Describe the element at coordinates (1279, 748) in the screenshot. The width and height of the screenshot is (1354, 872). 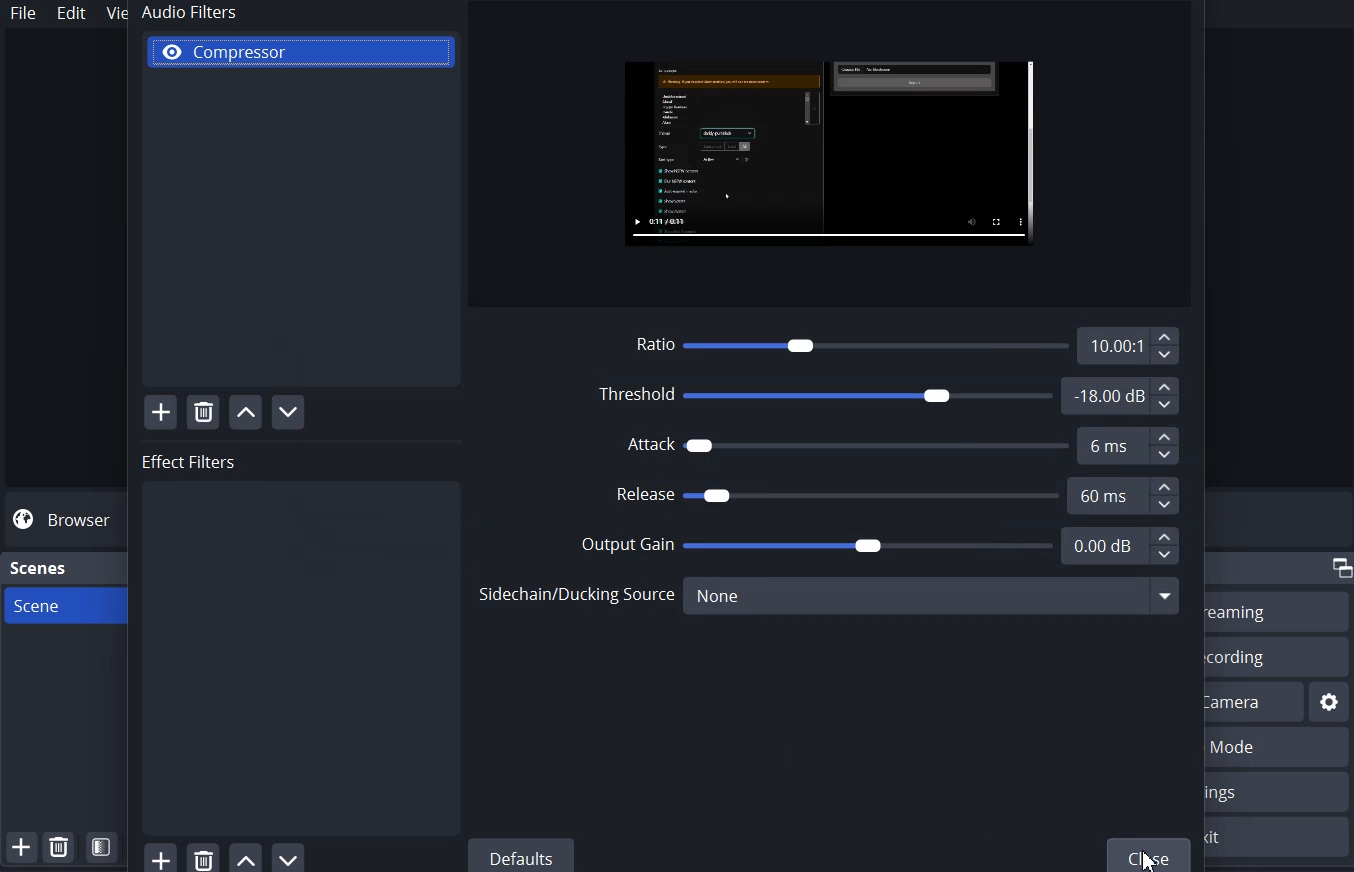
I see `Studio Mode` at that location.